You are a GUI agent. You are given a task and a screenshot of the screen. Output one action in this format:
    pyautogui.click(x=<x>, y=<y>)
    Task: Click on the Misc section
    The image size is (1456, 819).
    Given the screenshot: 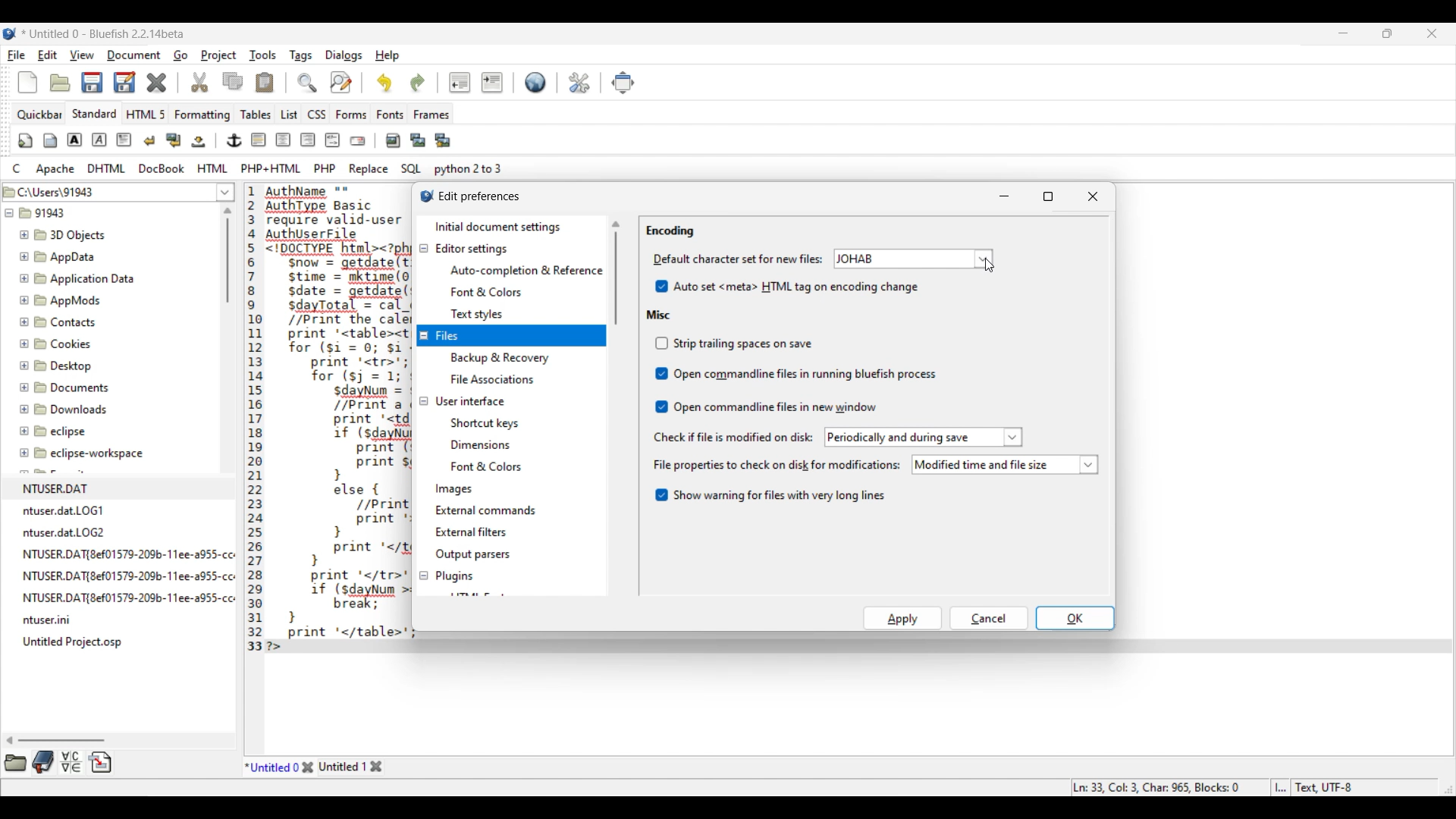 What is the action you would take?
    pyautogui.click(x=659, y=315)
    